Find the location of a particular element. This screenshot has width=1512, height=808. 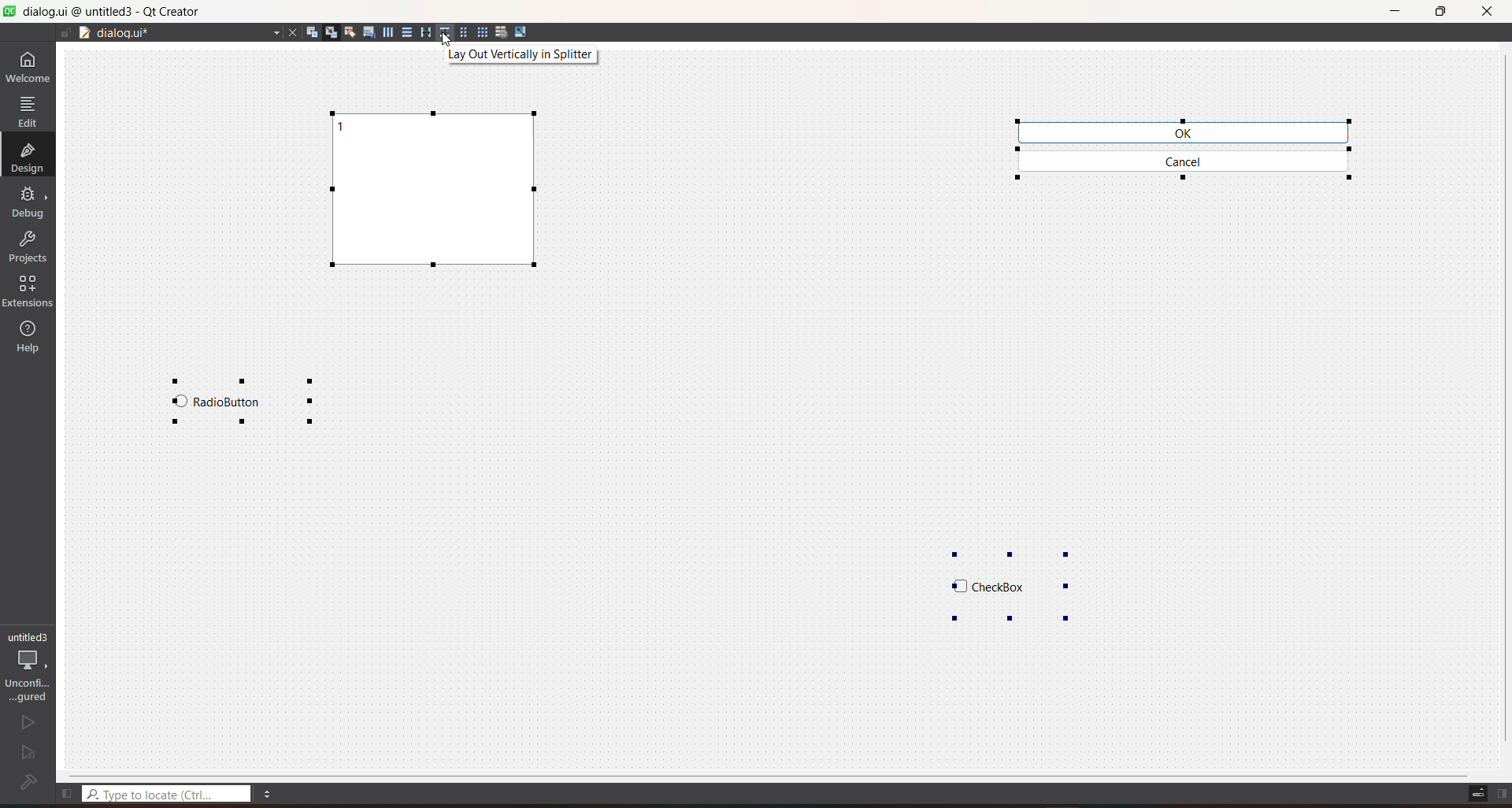

layout horizontally is located at coordinates (387, 32).